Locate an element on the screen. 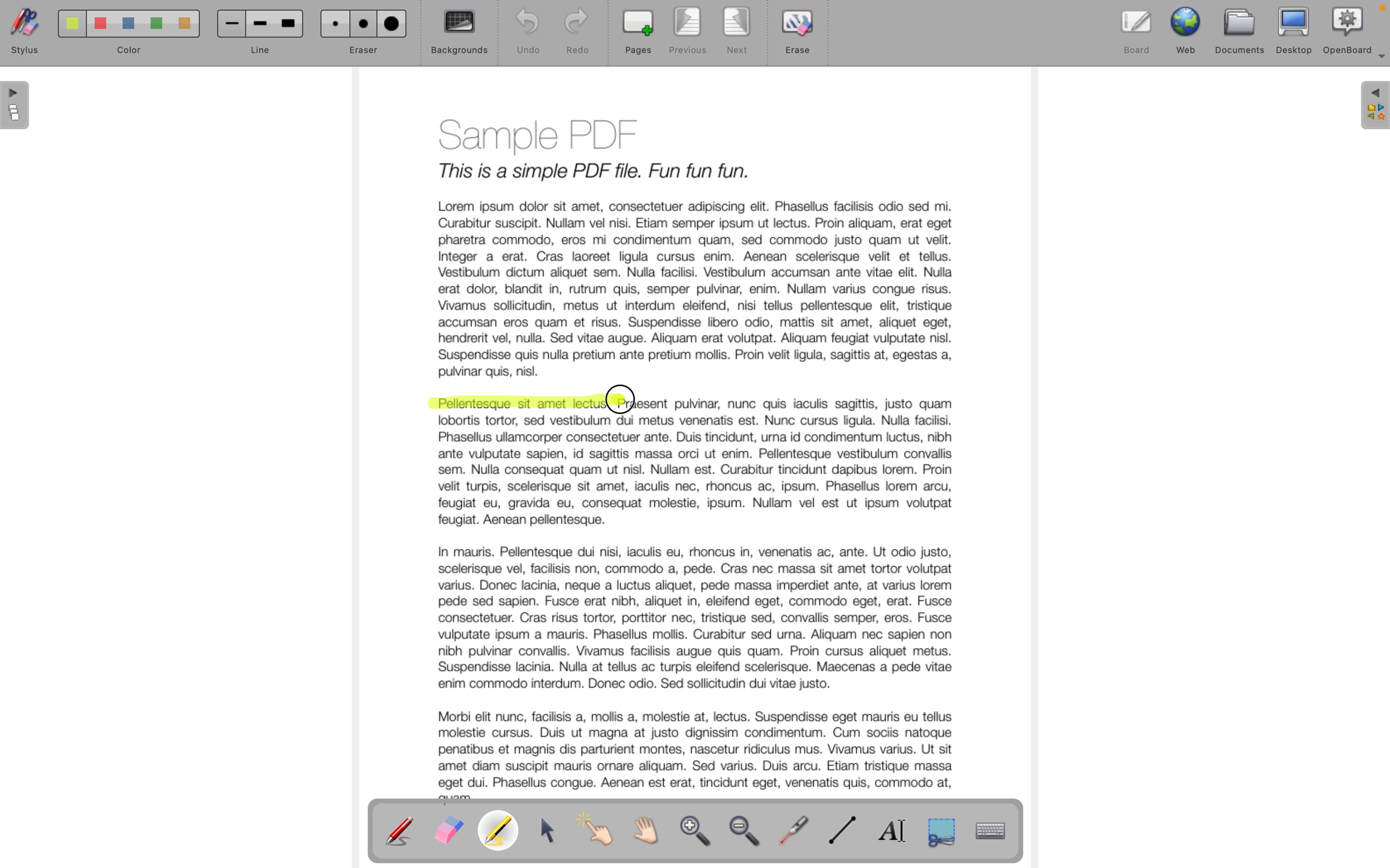  text is located at coordinates (809, 404).